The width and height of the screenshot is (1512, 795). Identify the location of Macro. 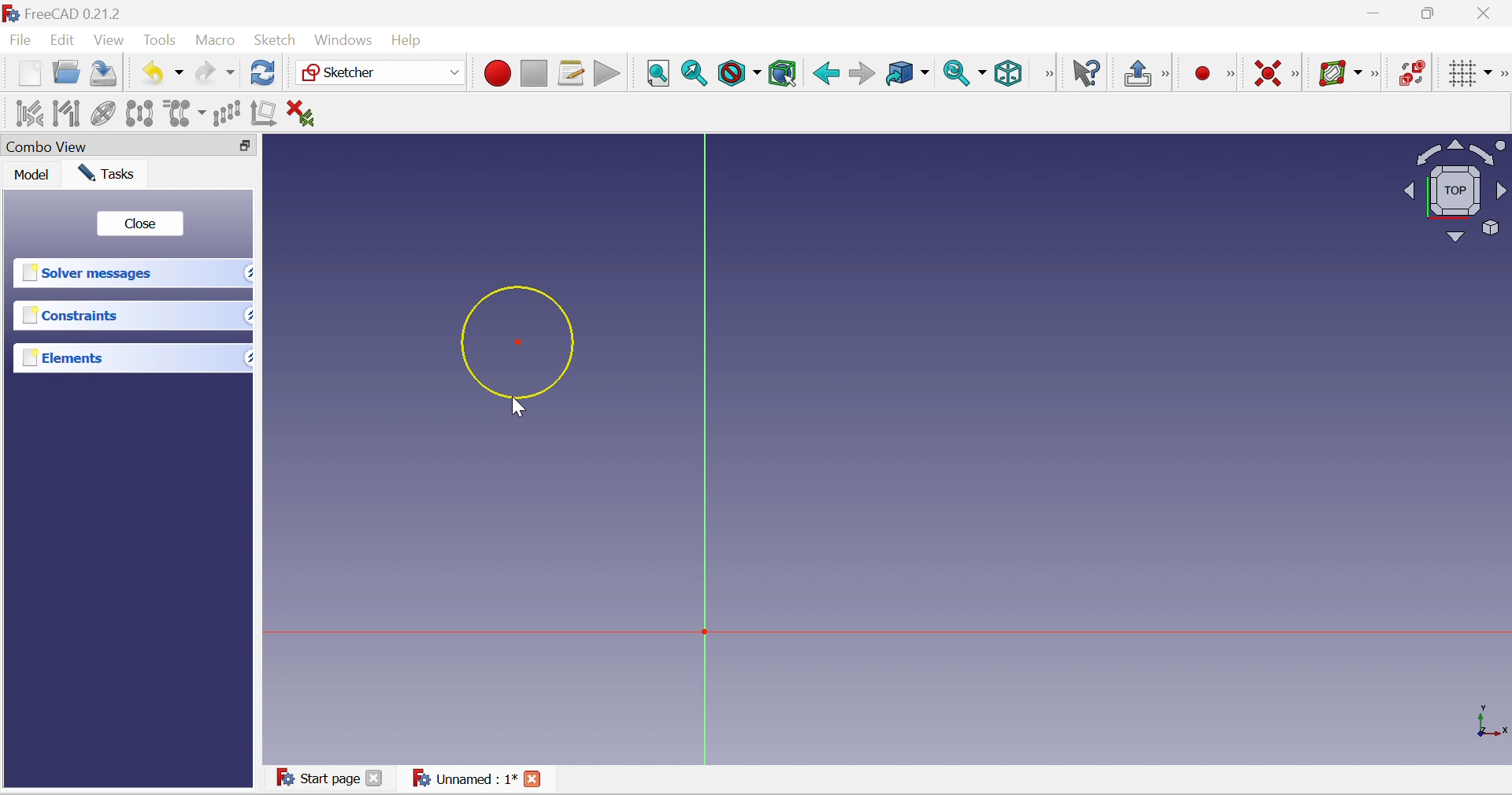
(216, 41).